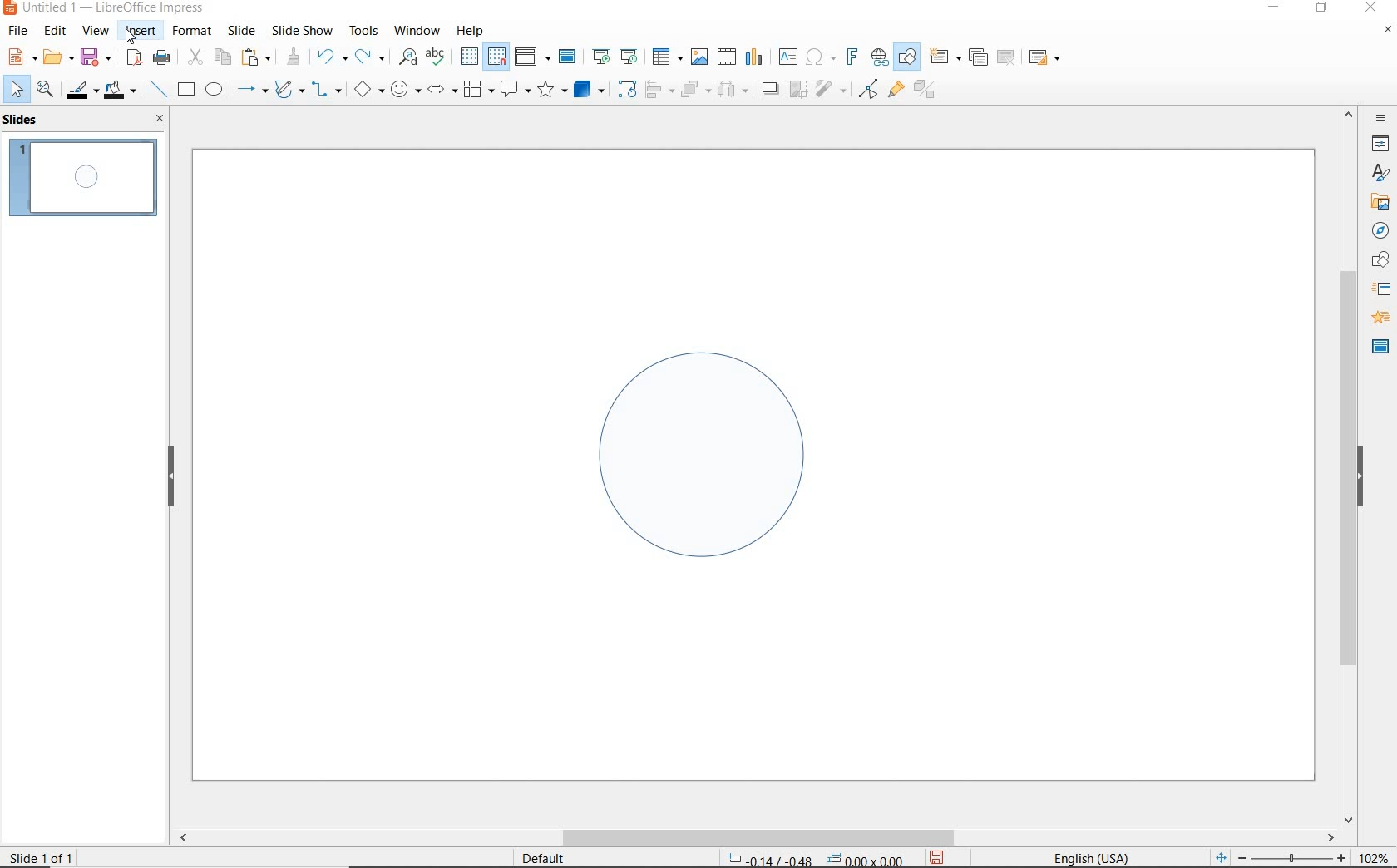  I want to click on lines & arrows, so click(251, 91).